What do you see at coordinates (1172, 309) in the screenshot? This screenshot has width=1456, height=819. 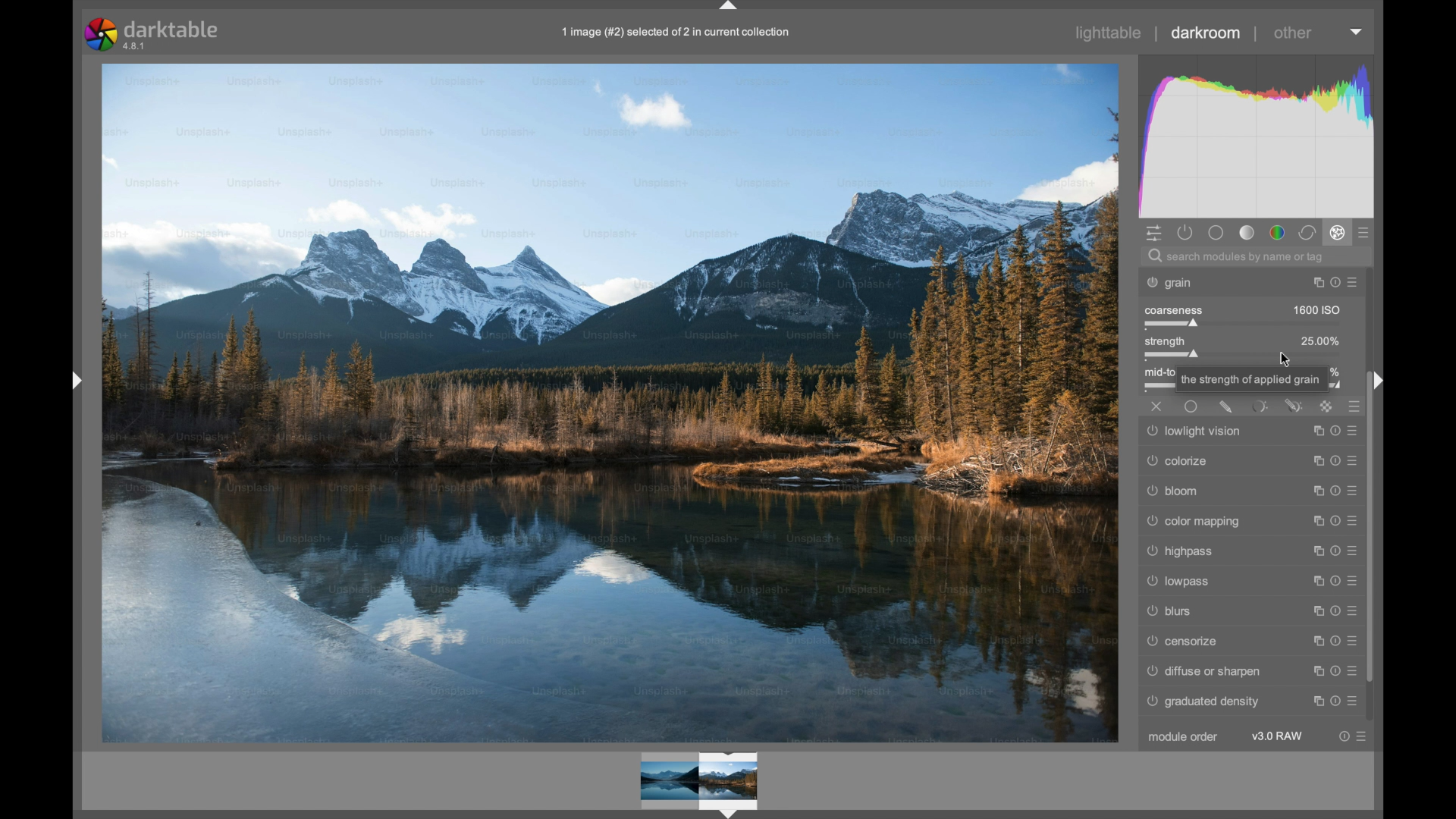 I see `coarseness` at bounding box center [1172, 309].